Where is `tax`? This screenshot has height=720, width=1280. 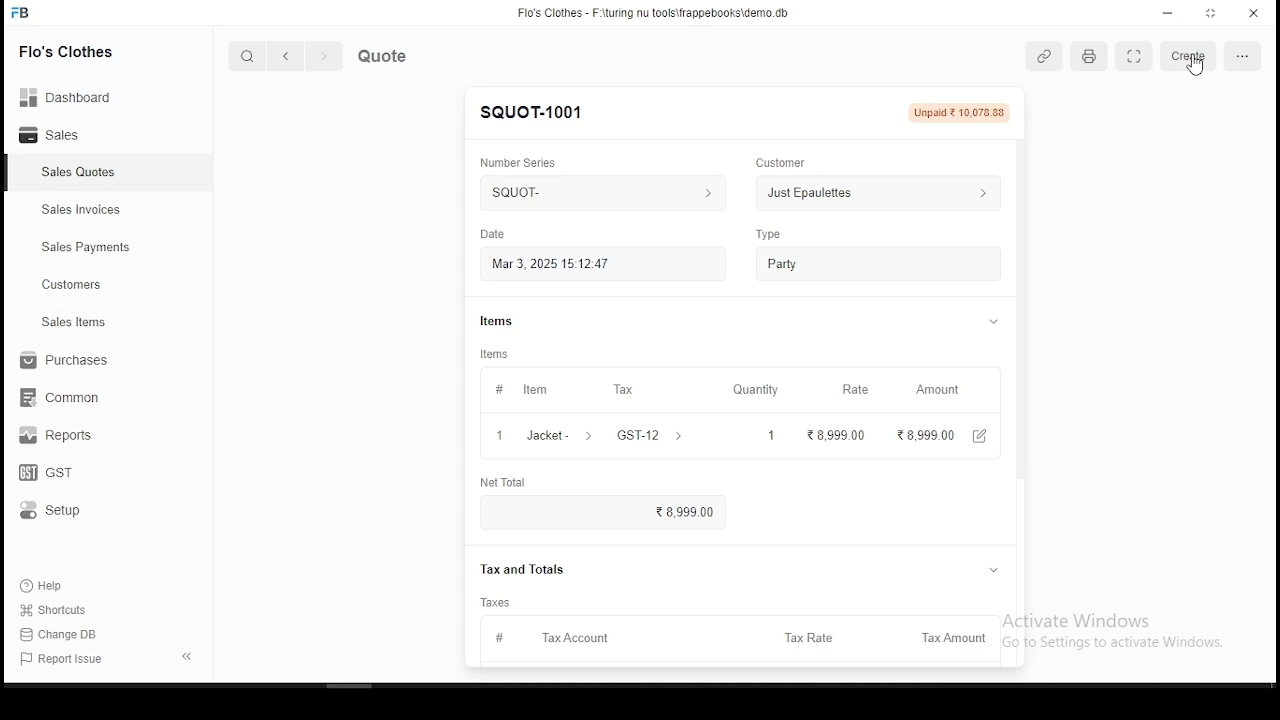 tax is located at coordinates (625, 388).